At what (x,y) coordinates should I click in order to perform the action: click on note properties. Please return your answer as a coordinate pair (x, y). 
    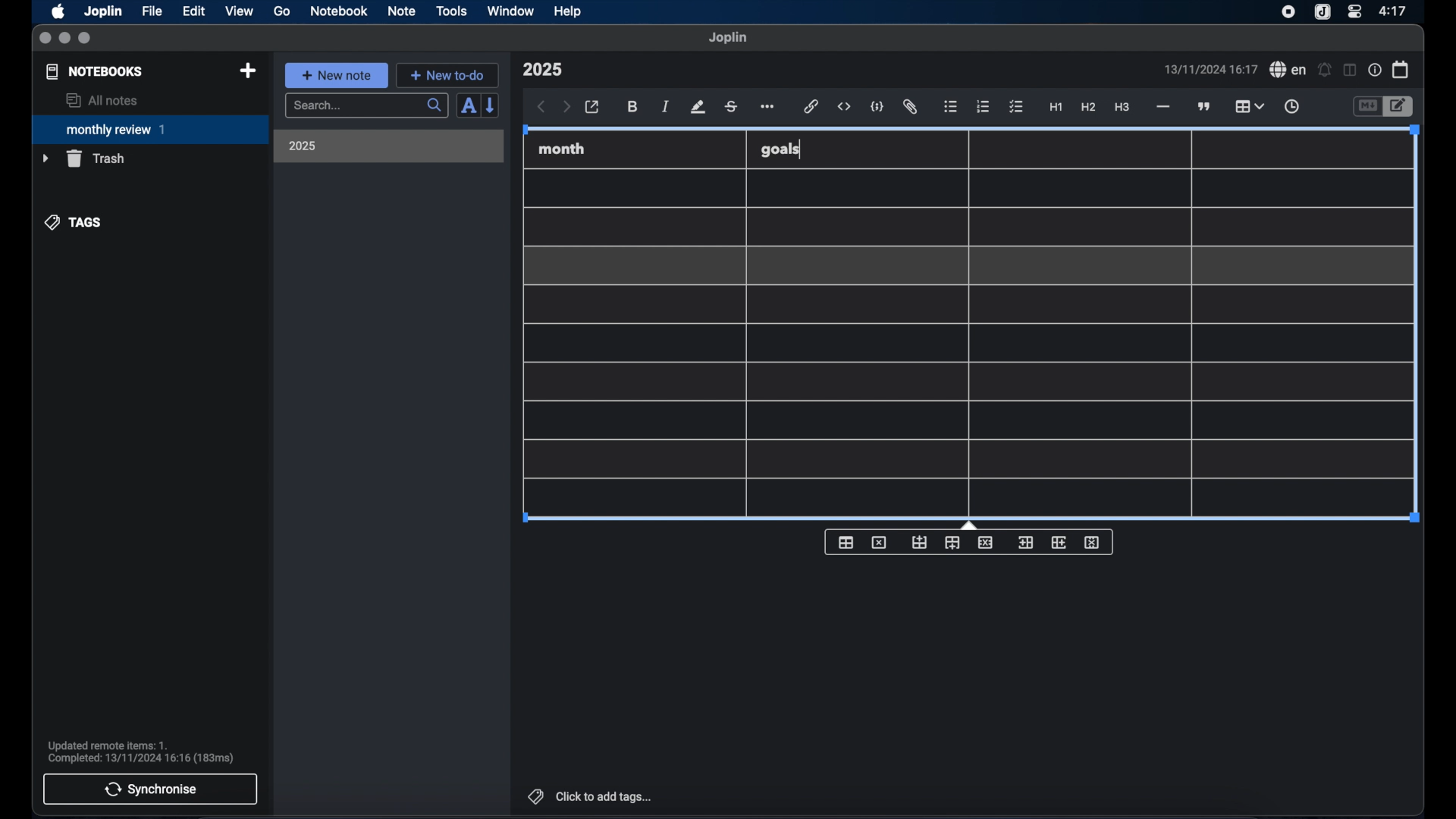
    Looking at the image, I should click on (1375, 71).